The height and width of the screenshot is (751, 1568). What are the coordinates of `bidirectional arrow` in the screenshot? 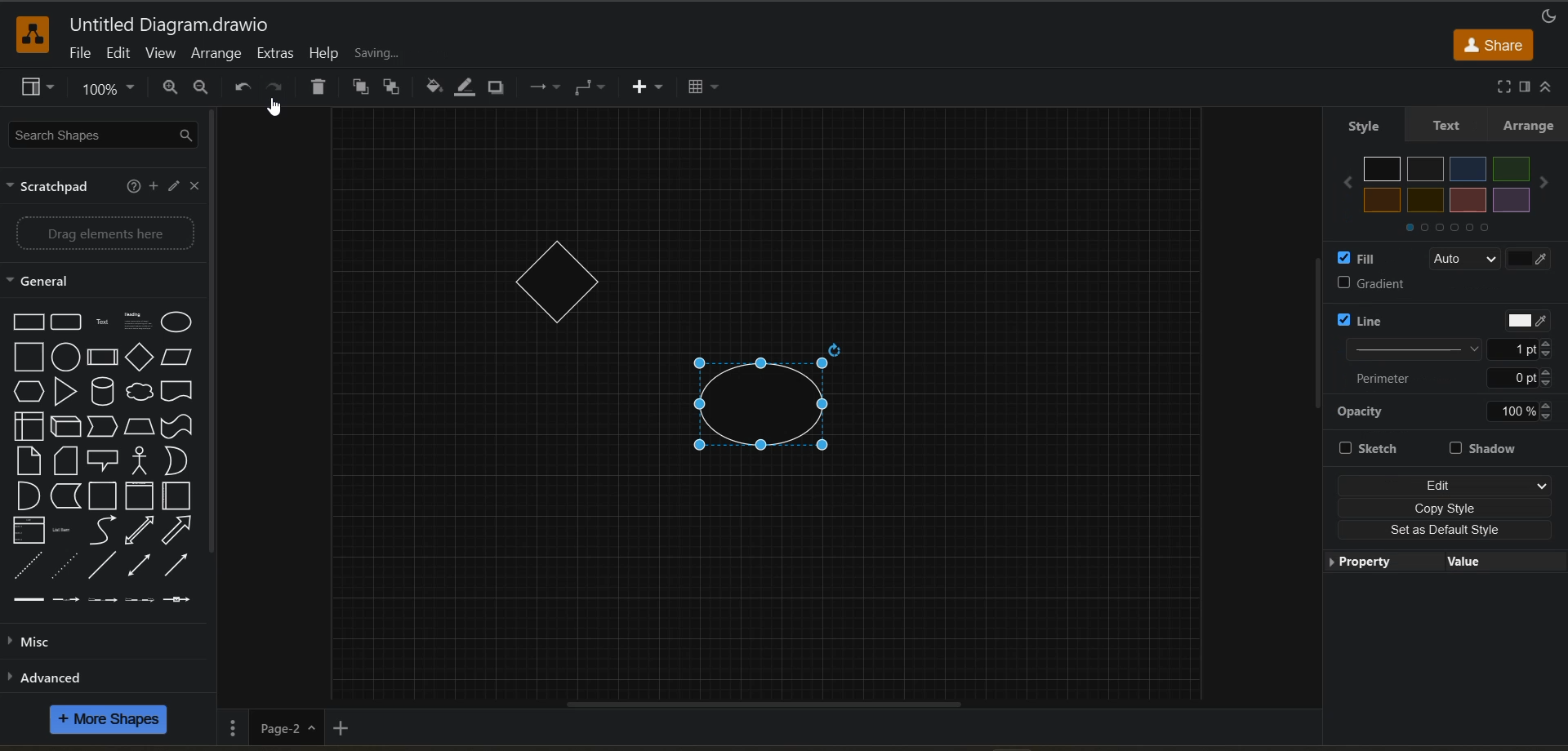 It's located at (140, 531).